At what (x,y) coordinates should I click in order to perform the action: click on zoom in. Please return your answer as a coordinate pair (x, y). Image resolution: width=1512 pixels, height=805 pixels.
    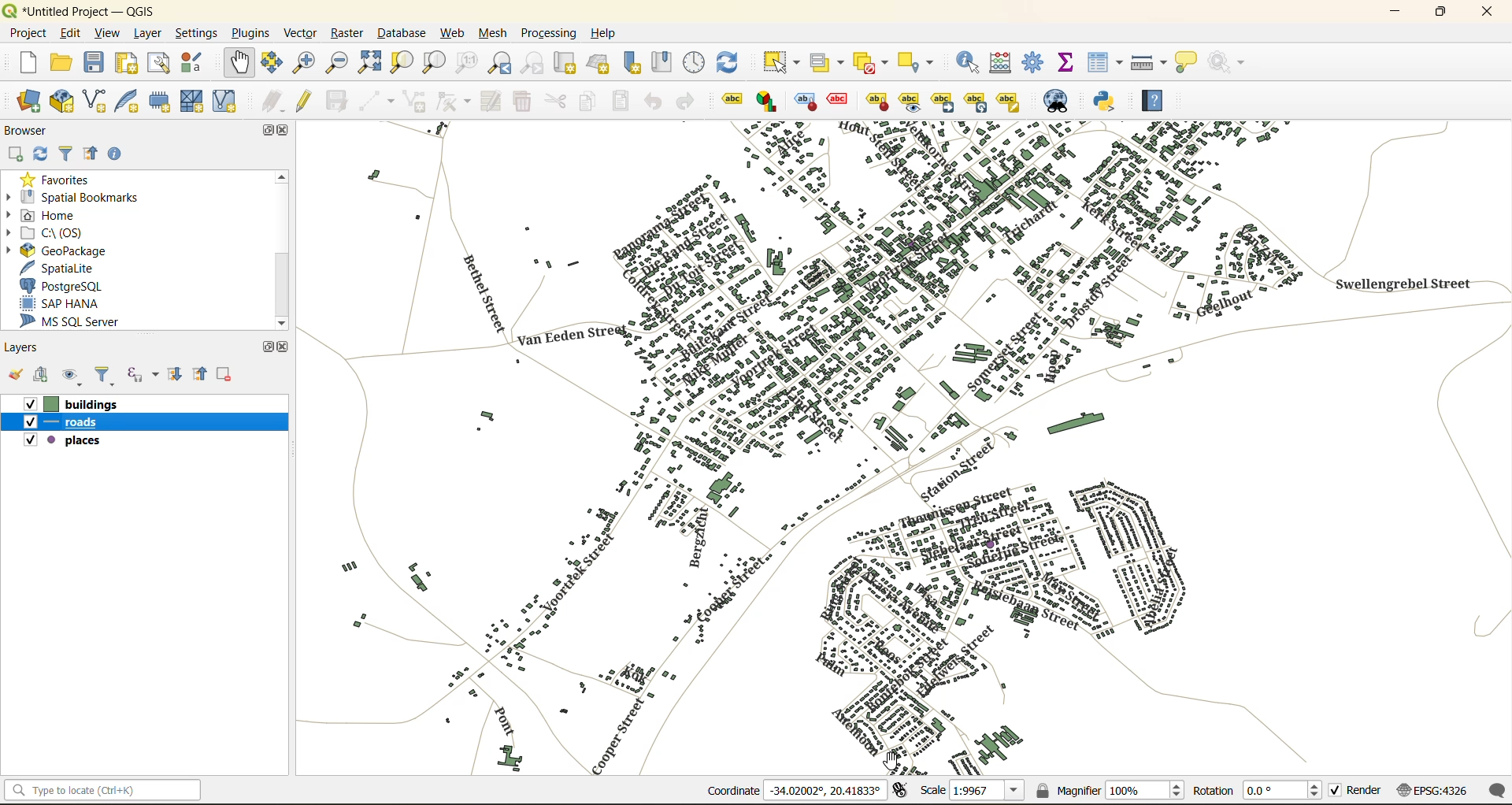
    Looking at the image, I should click on (306, 65).